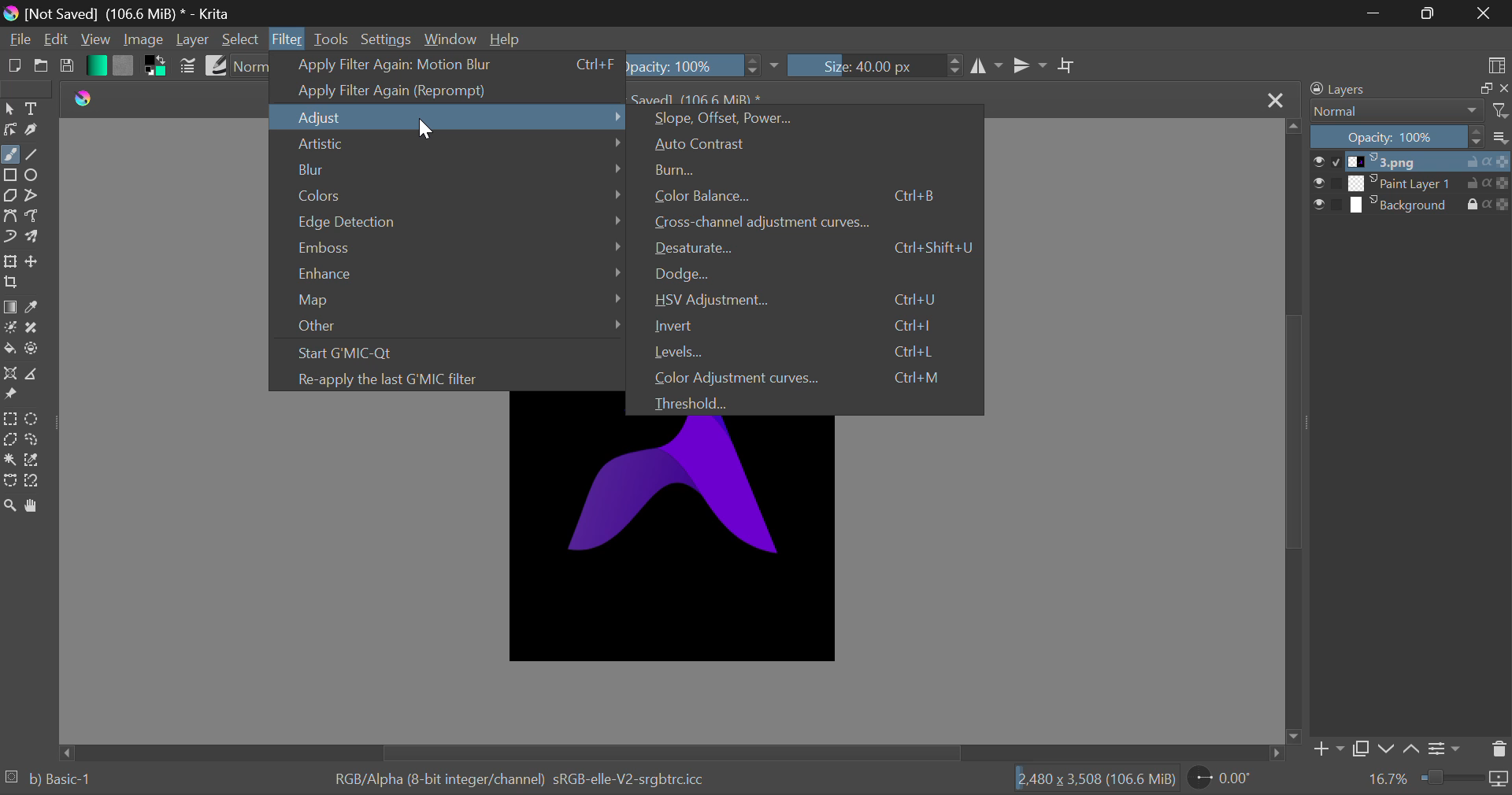 The height and width of the screenshot is (795, 1512). Describe the element at coordinates (704, 64) in the screenshot. I see `Opacity 100%` at that location.